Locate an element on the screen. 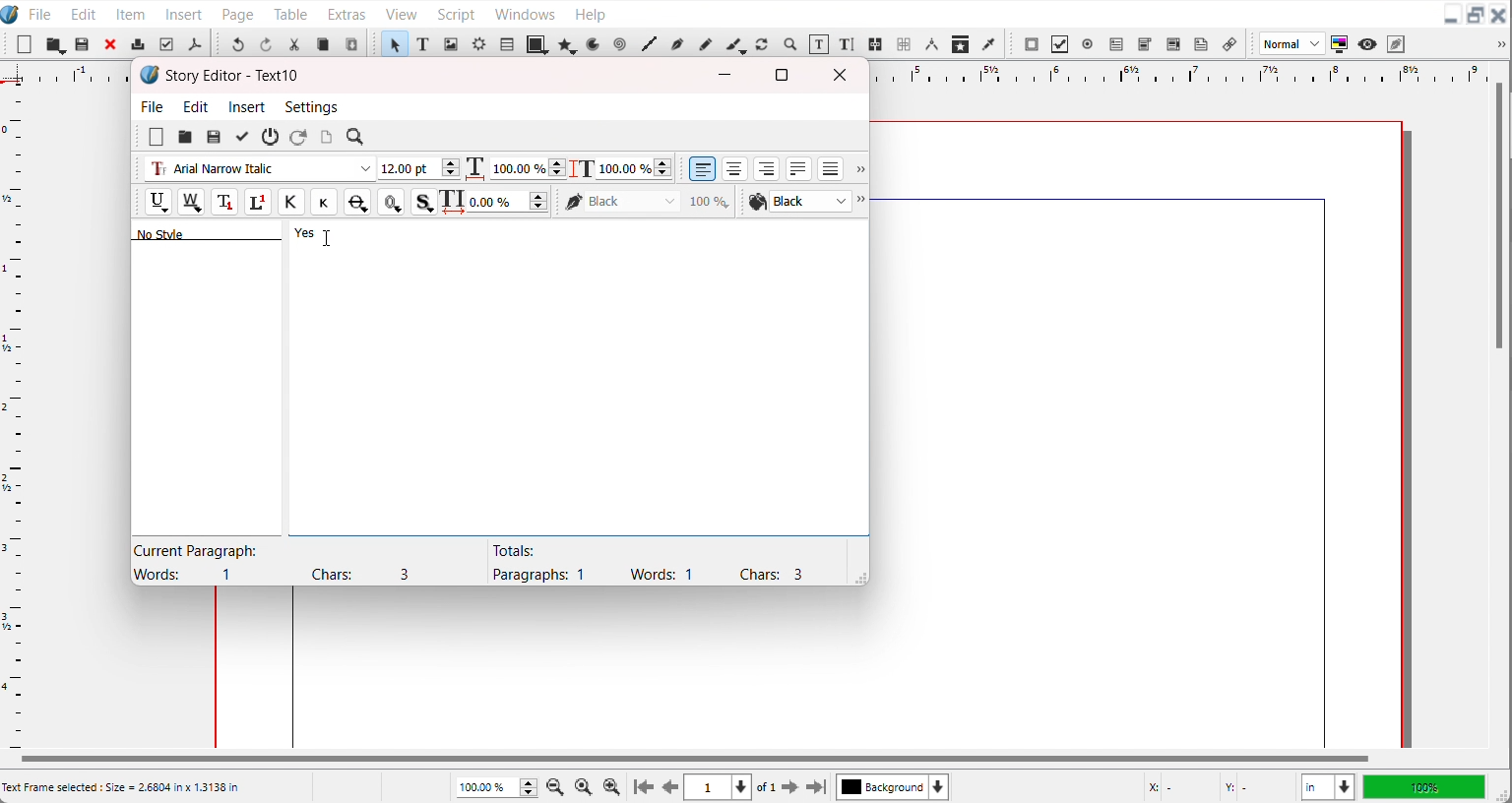 This screenshot has height=803, width=1512. Open is located at coordinates (84, 45).